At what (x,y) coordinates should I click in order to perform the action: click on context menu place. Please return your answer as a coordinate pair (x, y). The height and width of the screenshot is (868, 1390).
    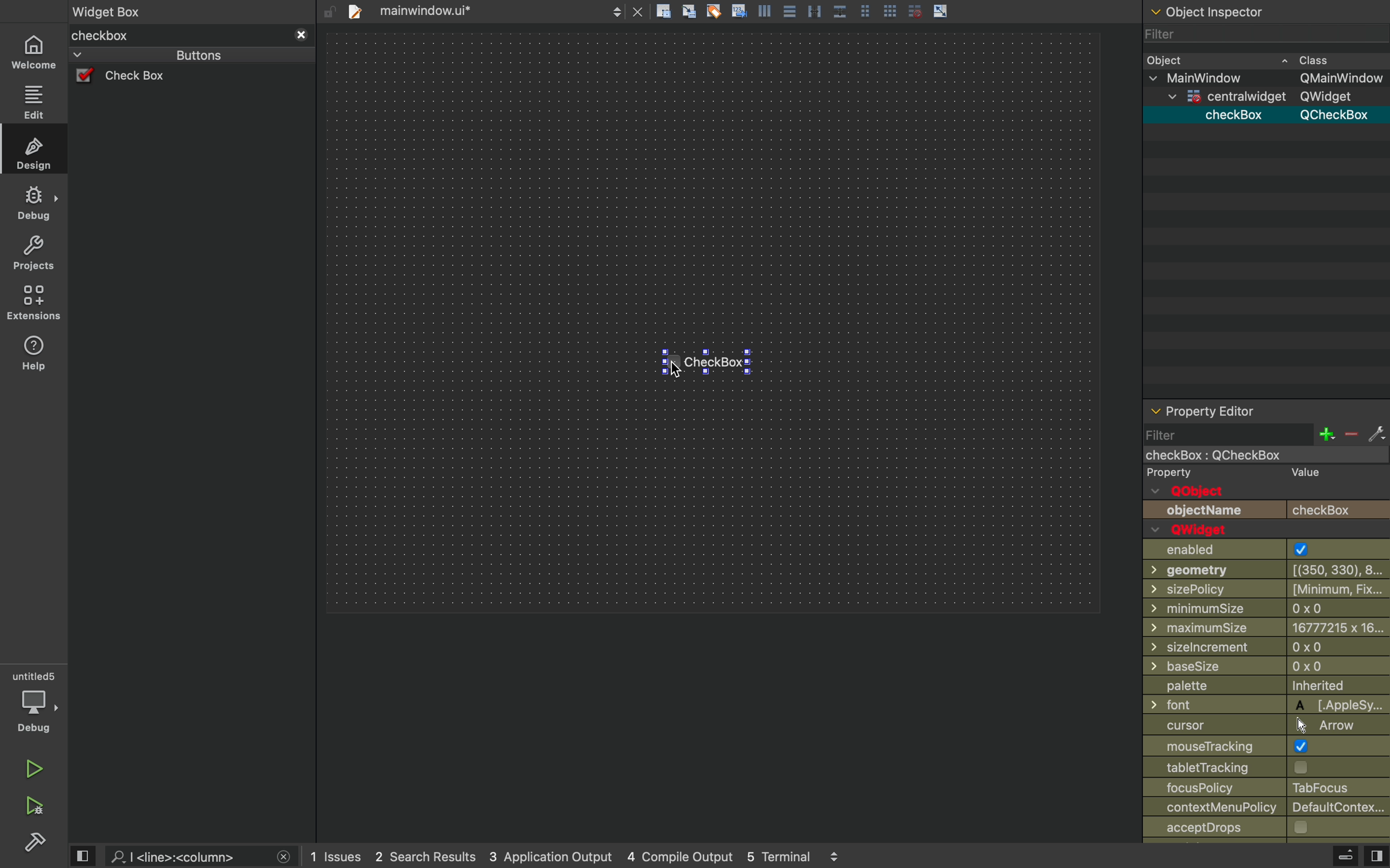
    Looking at the image, I should click on (1269, 808).